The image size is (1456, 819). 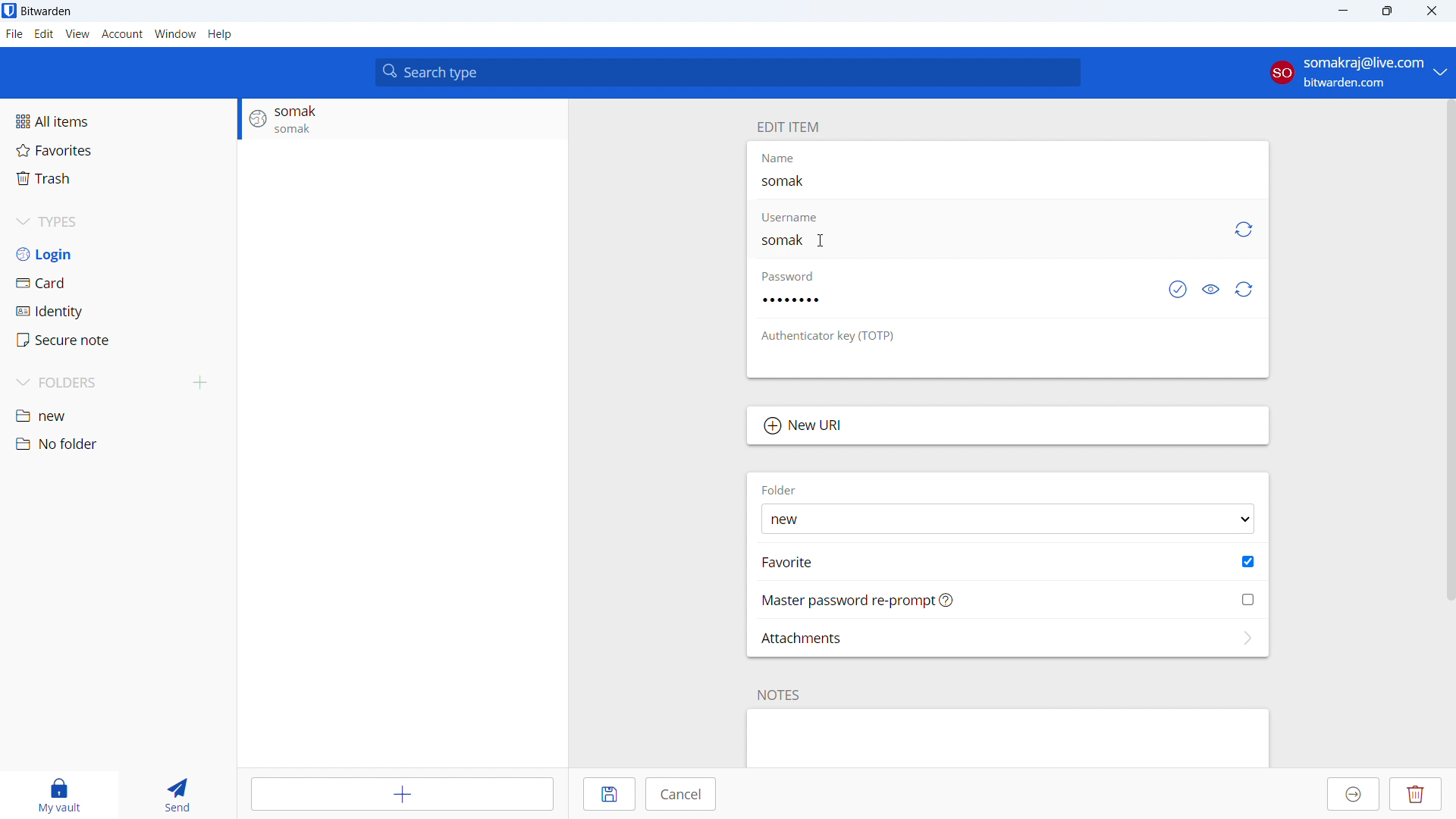 I want to click on generate password, so click(x=1244, y=289).